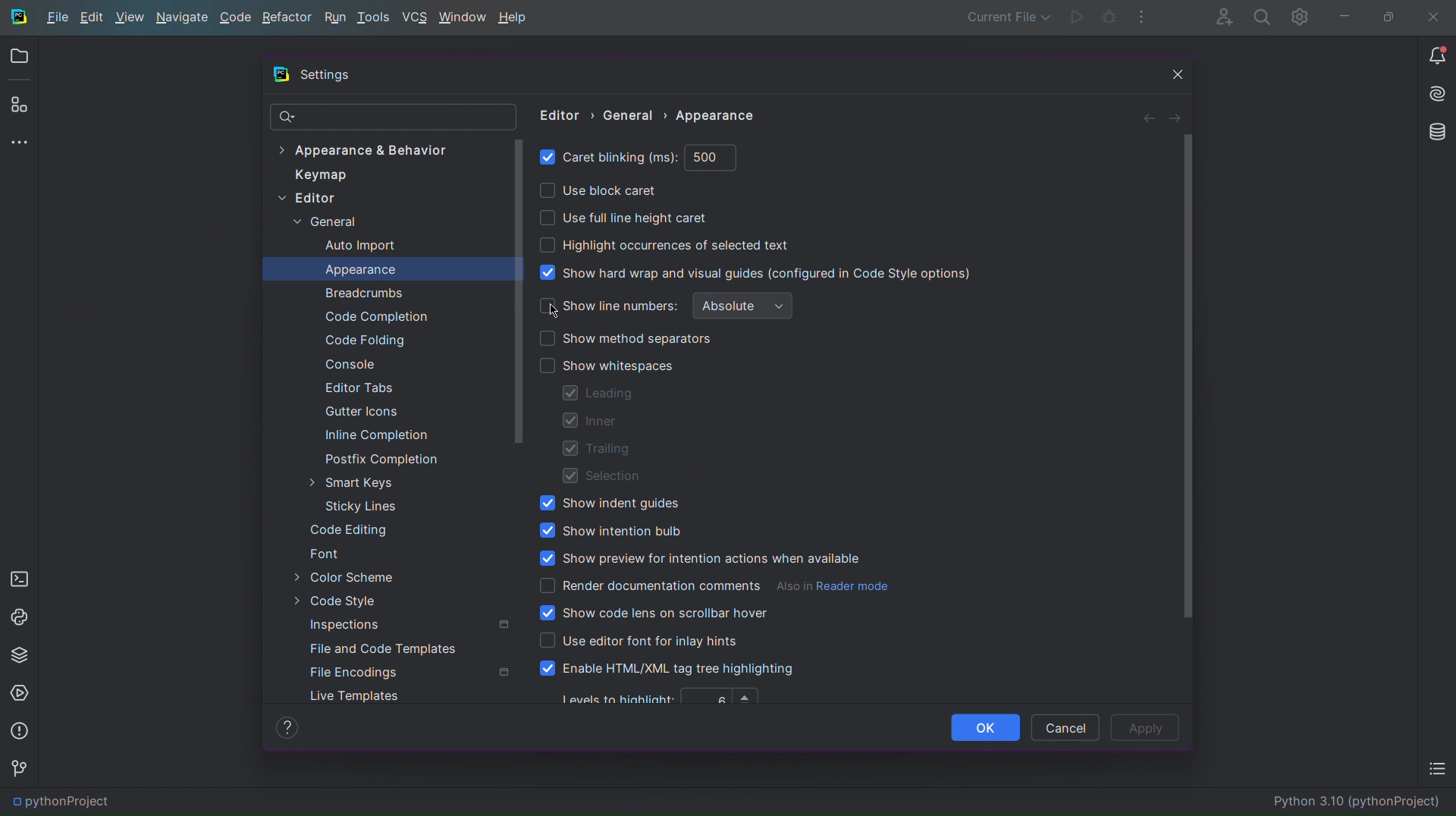 The image size is (1456, 816). Describe the element at coordinates (327, 222) in the screenshot. I see `General` at that location.